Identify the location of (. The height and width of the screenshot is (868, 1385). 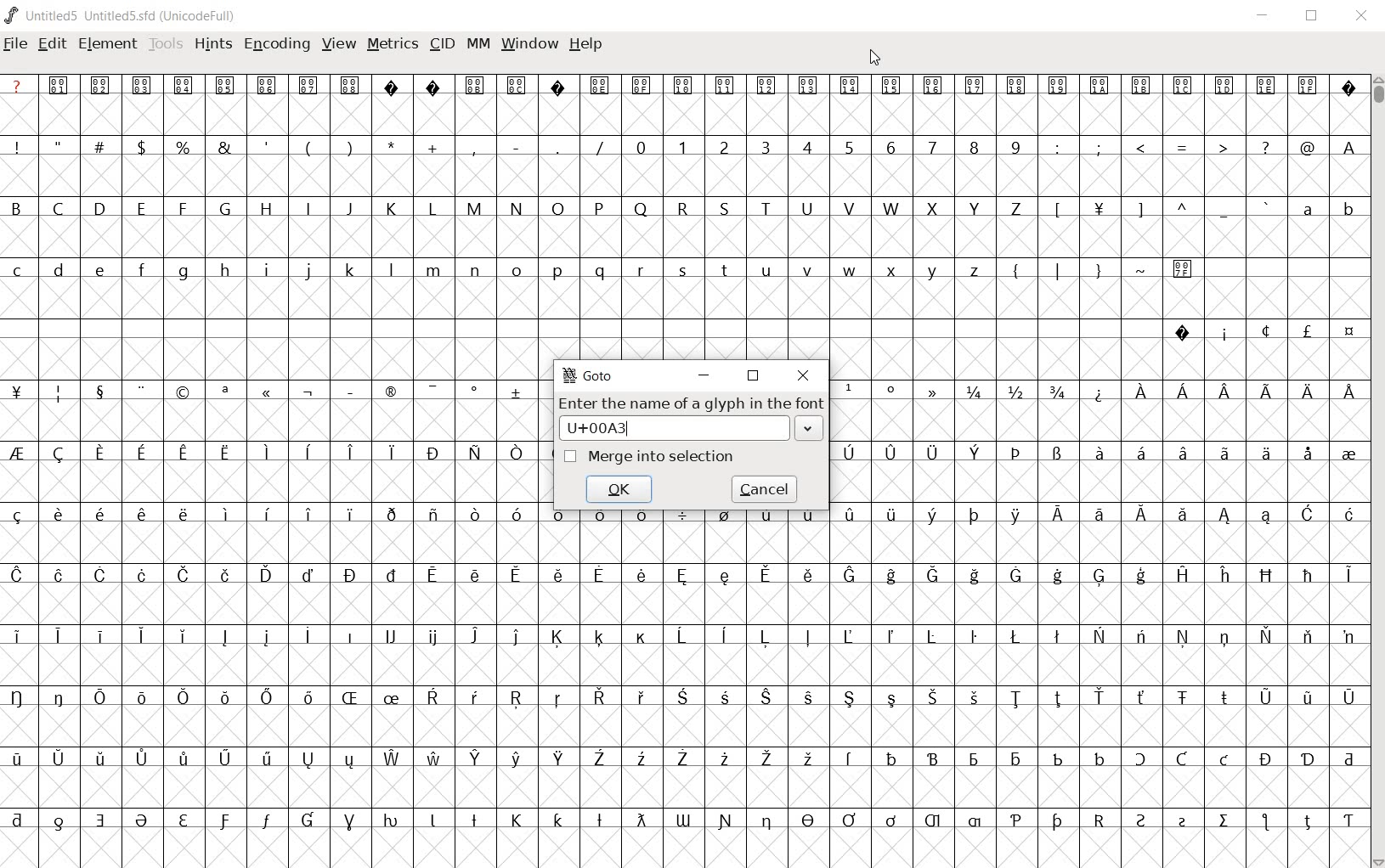
(309, 148).